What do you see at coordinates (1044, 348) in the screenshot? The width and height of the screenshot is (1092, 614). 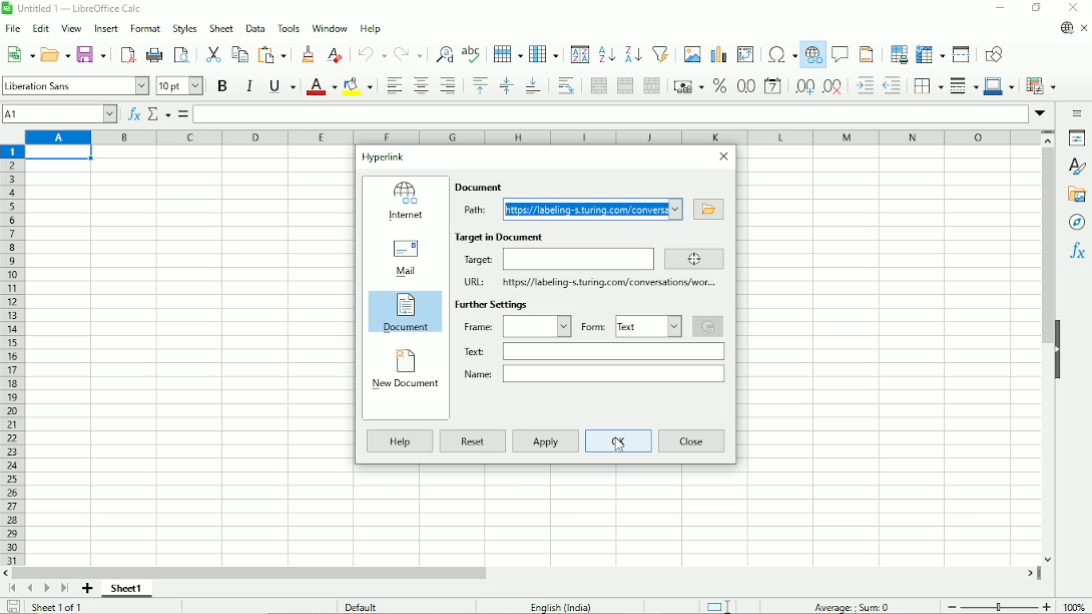 I see `Vertical scrollbar` at bounding box center [1044, 348].